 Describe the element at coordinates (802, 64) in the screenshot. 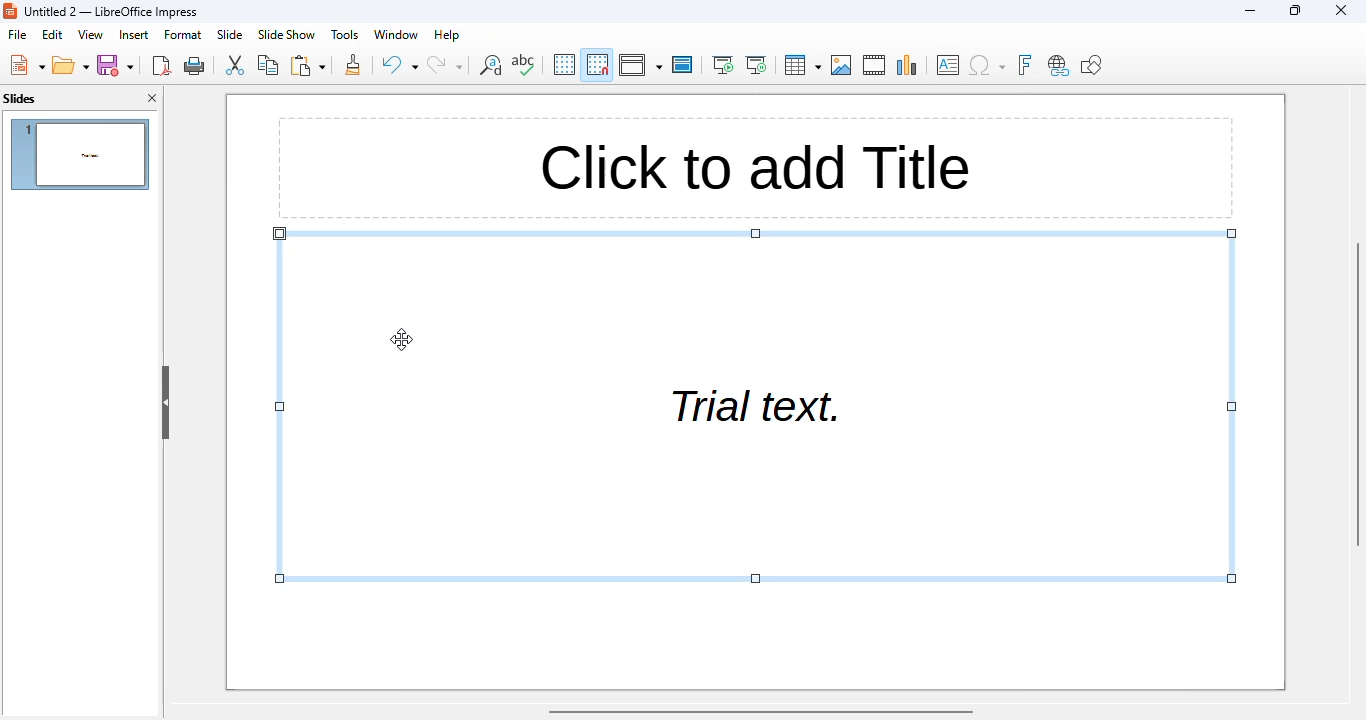

I see `table` at that location.